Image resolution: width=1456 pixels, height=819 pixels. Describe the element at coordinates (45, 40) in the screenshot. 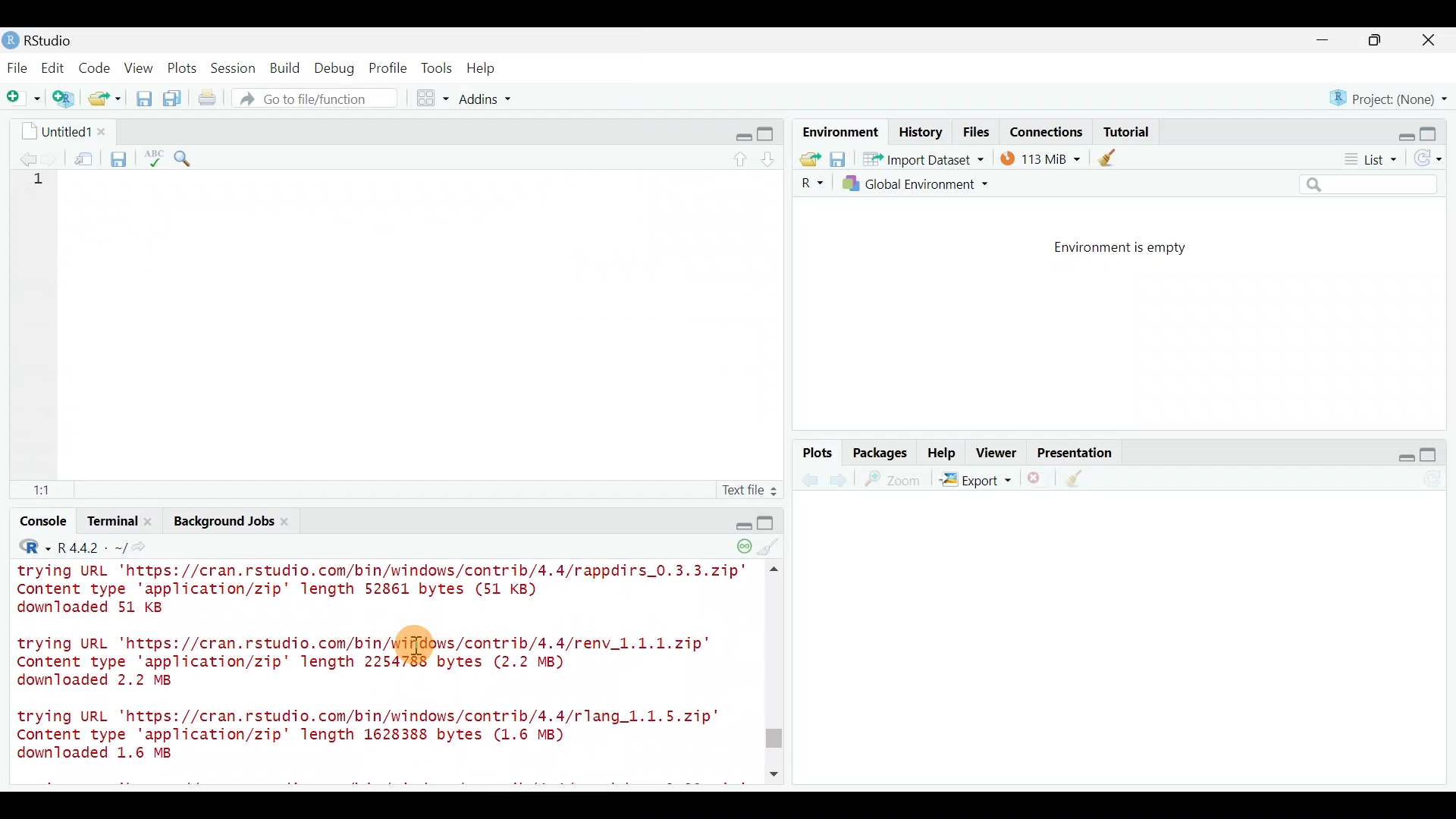

I see `RStudio` at that location.